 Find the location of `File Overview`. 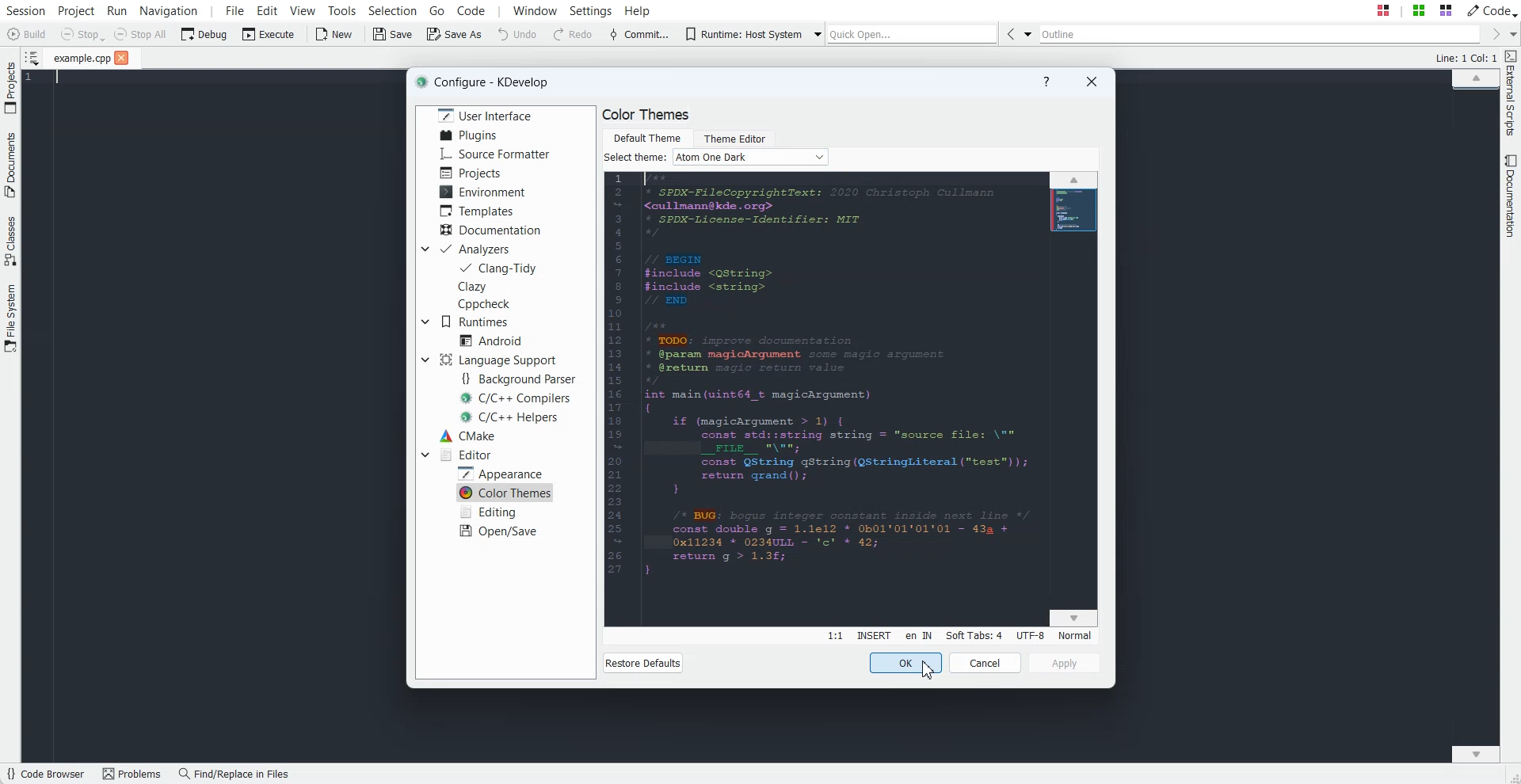

File Overview is located at coordinates (1473, 91).